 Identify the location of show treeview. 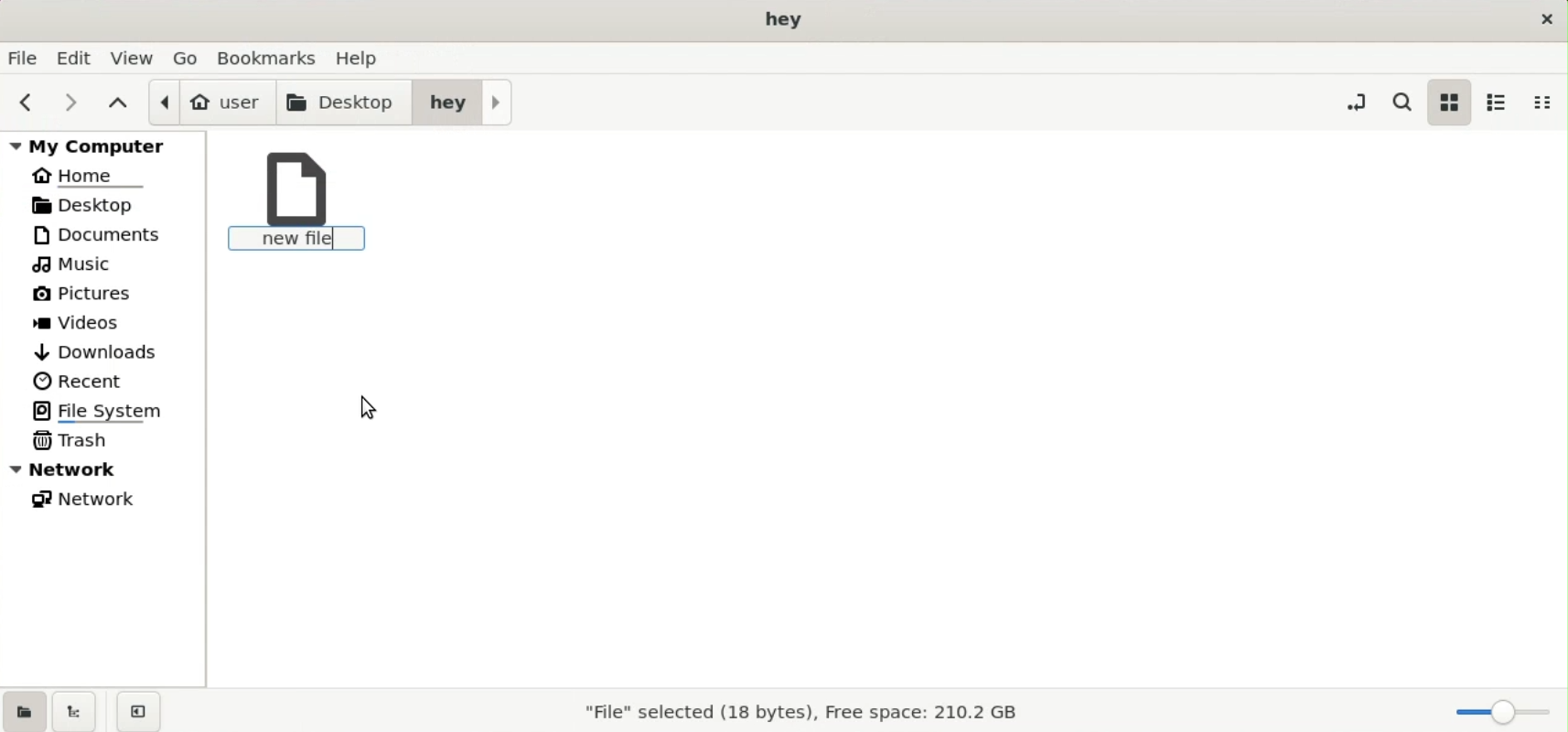
(74, 711).